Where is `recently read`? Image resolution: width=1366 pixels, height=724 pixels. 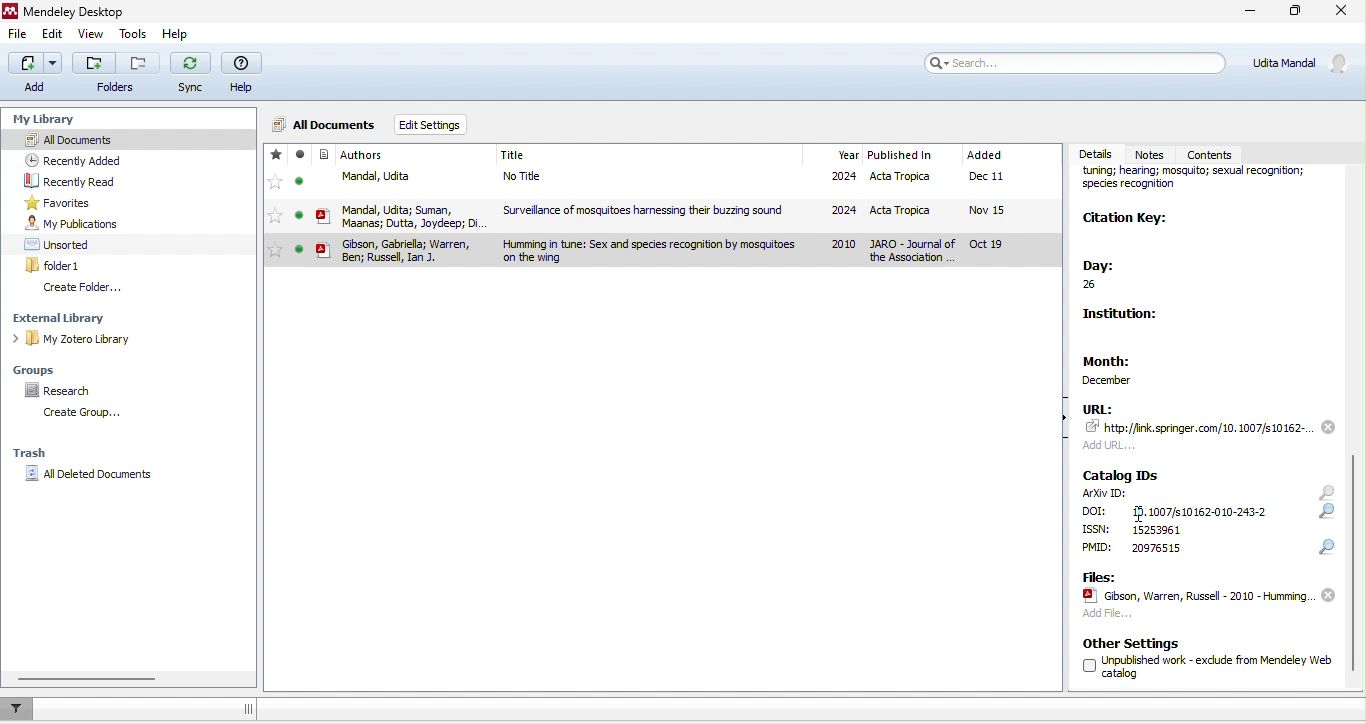
recently read is located at coordinates (74, 181).